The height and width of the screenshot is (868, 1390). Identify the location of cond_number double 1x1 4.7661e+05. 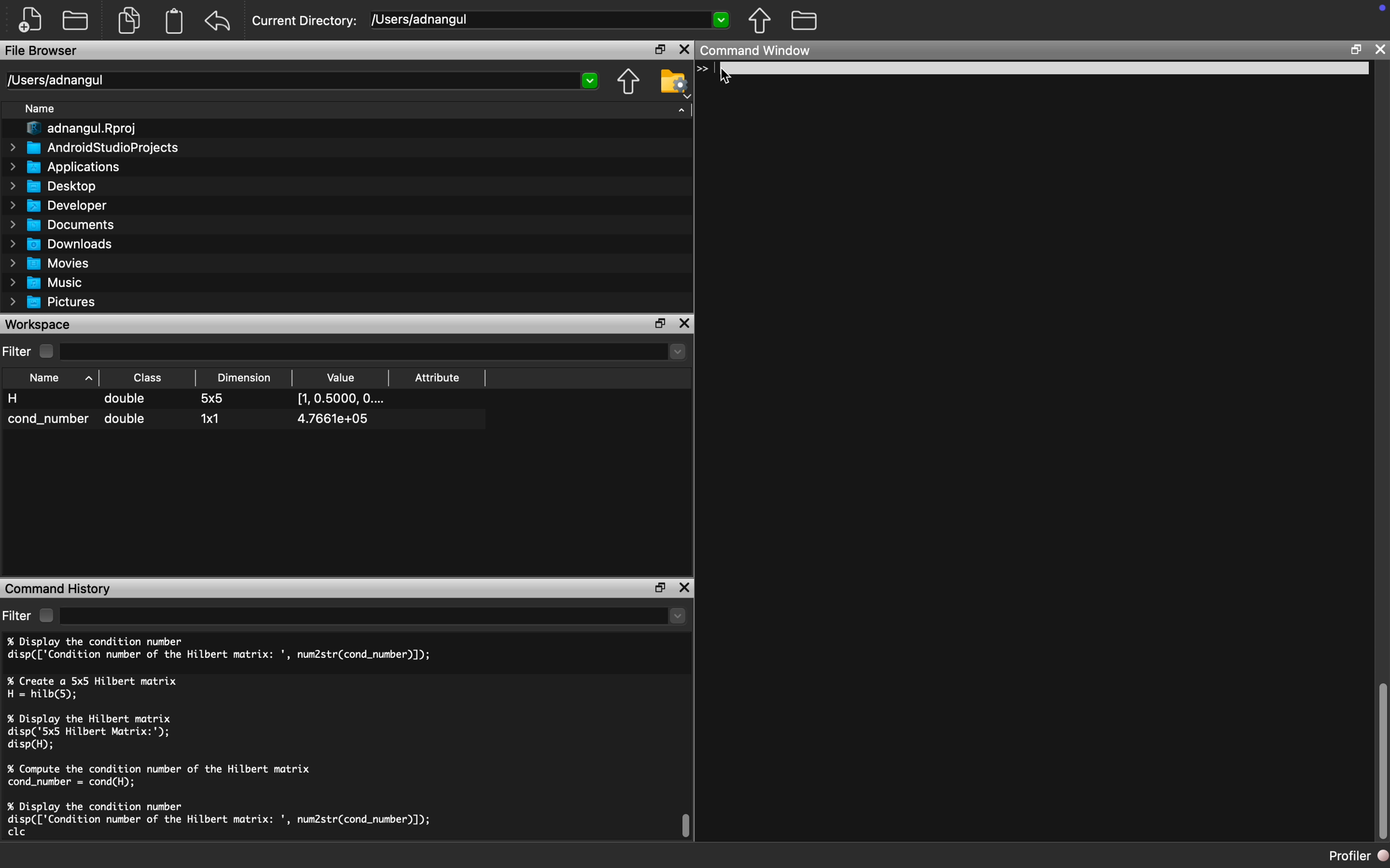
(192, 419).